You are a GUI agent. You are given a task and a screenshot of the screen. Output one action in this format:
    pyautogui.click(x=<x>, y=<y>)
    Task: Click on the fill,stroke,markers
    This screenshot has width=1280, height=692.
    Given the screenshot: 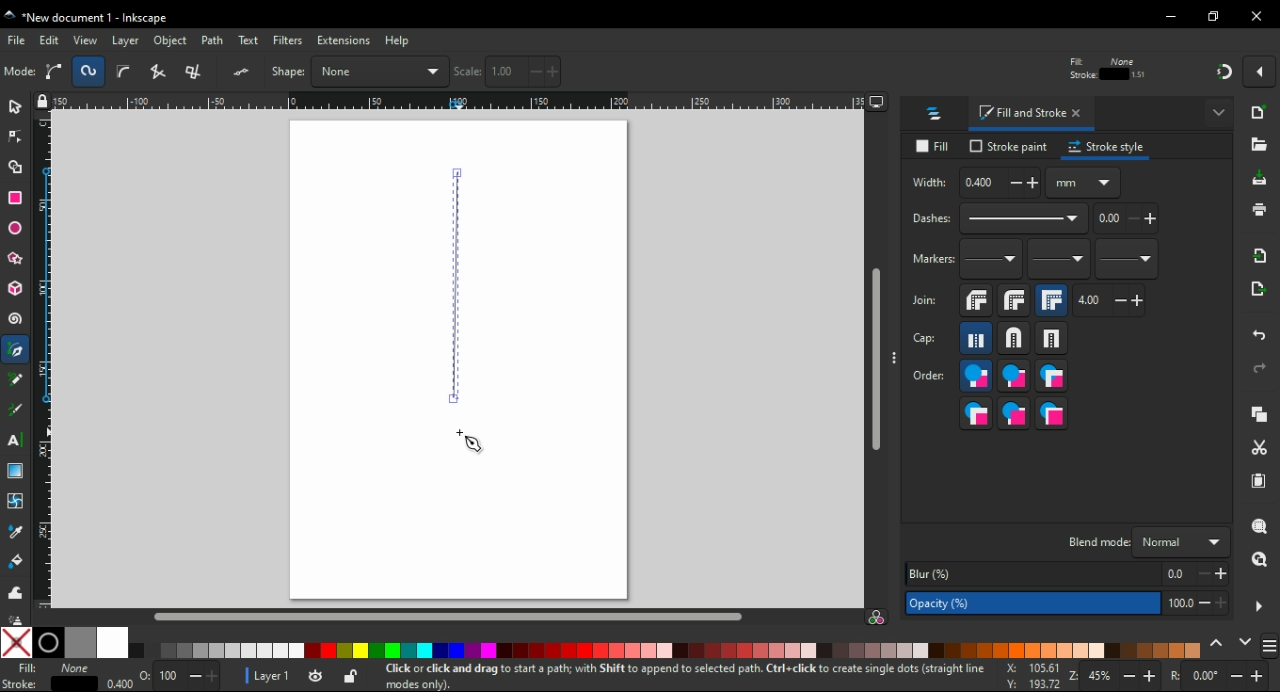 What is the action you would take?
    pyautogui.click(x=976, y=377)
    